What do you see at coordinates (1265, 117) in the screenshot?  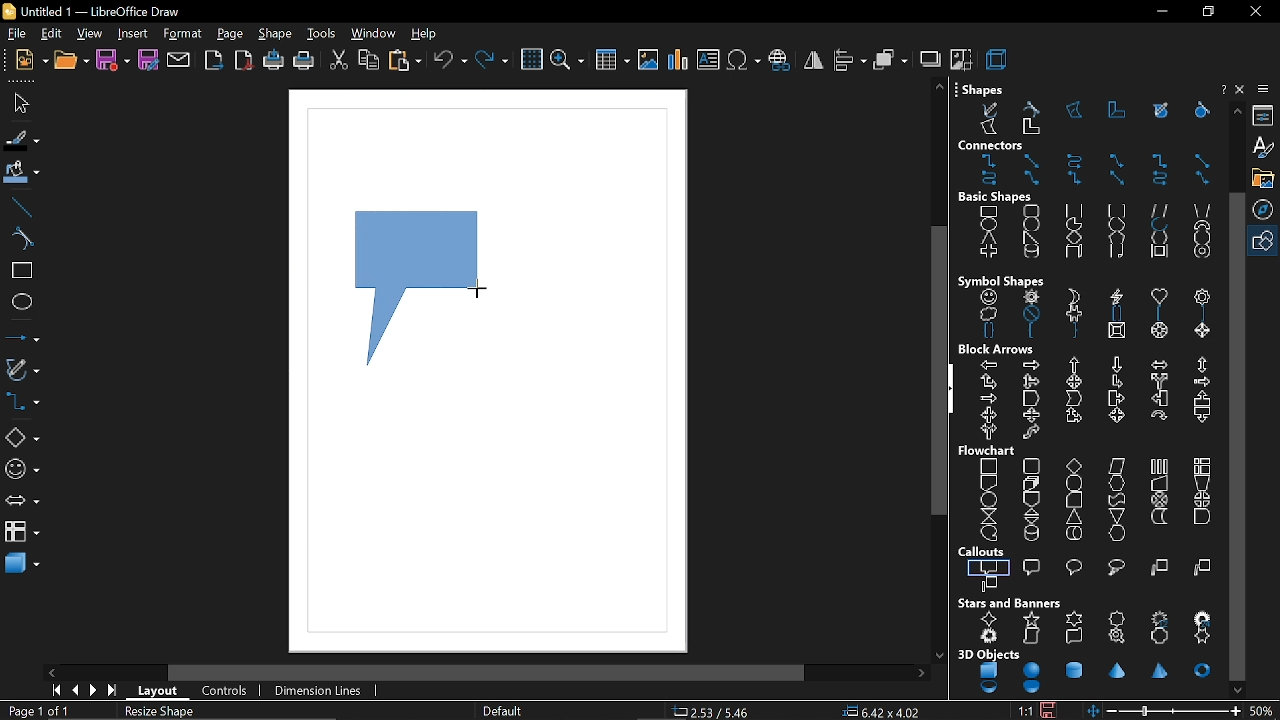 I see `properties ` at bounding box center [1265, 117].